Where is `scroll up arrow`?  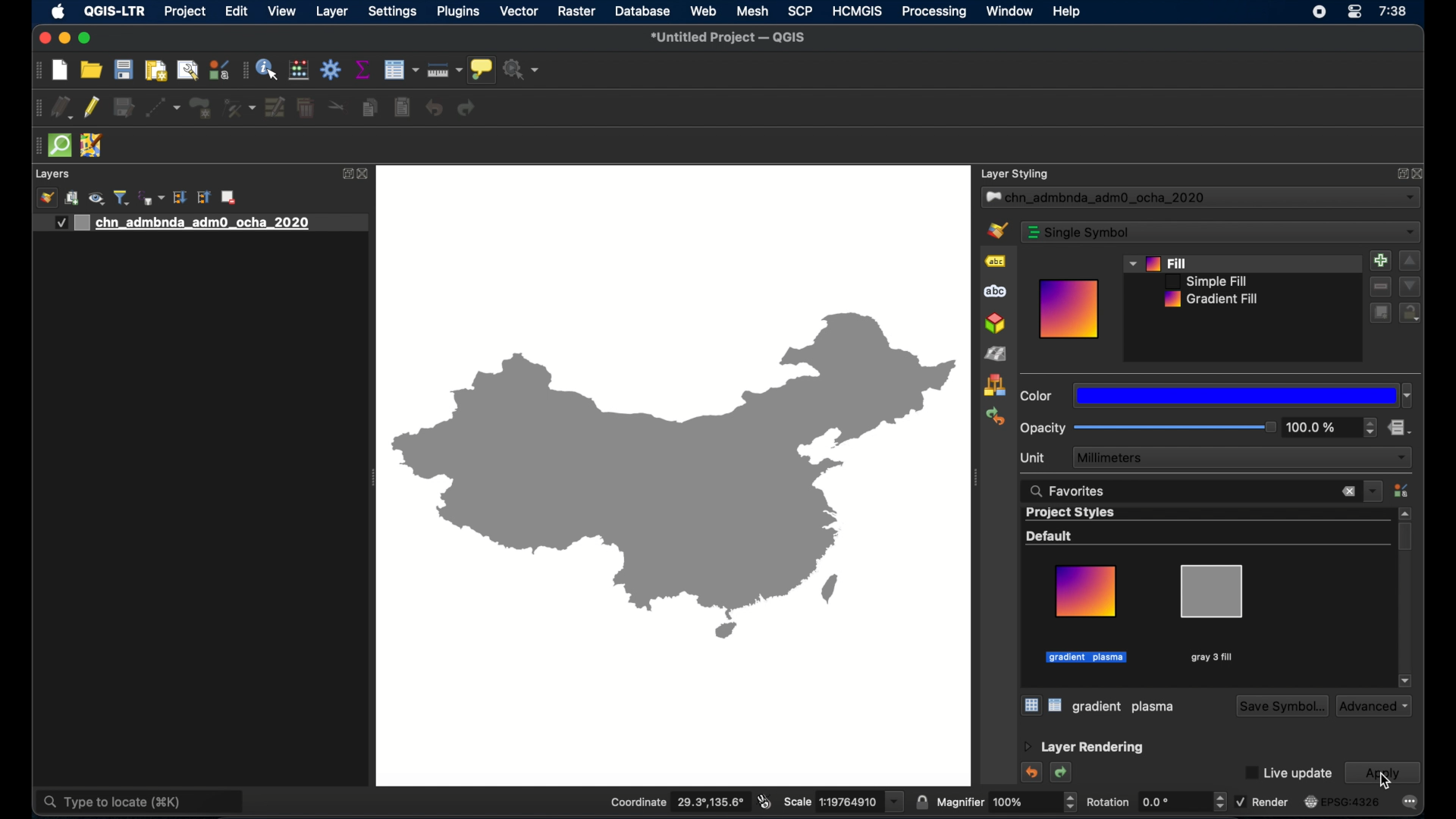
scroll up arrow is located at coordinates (1405, 513).